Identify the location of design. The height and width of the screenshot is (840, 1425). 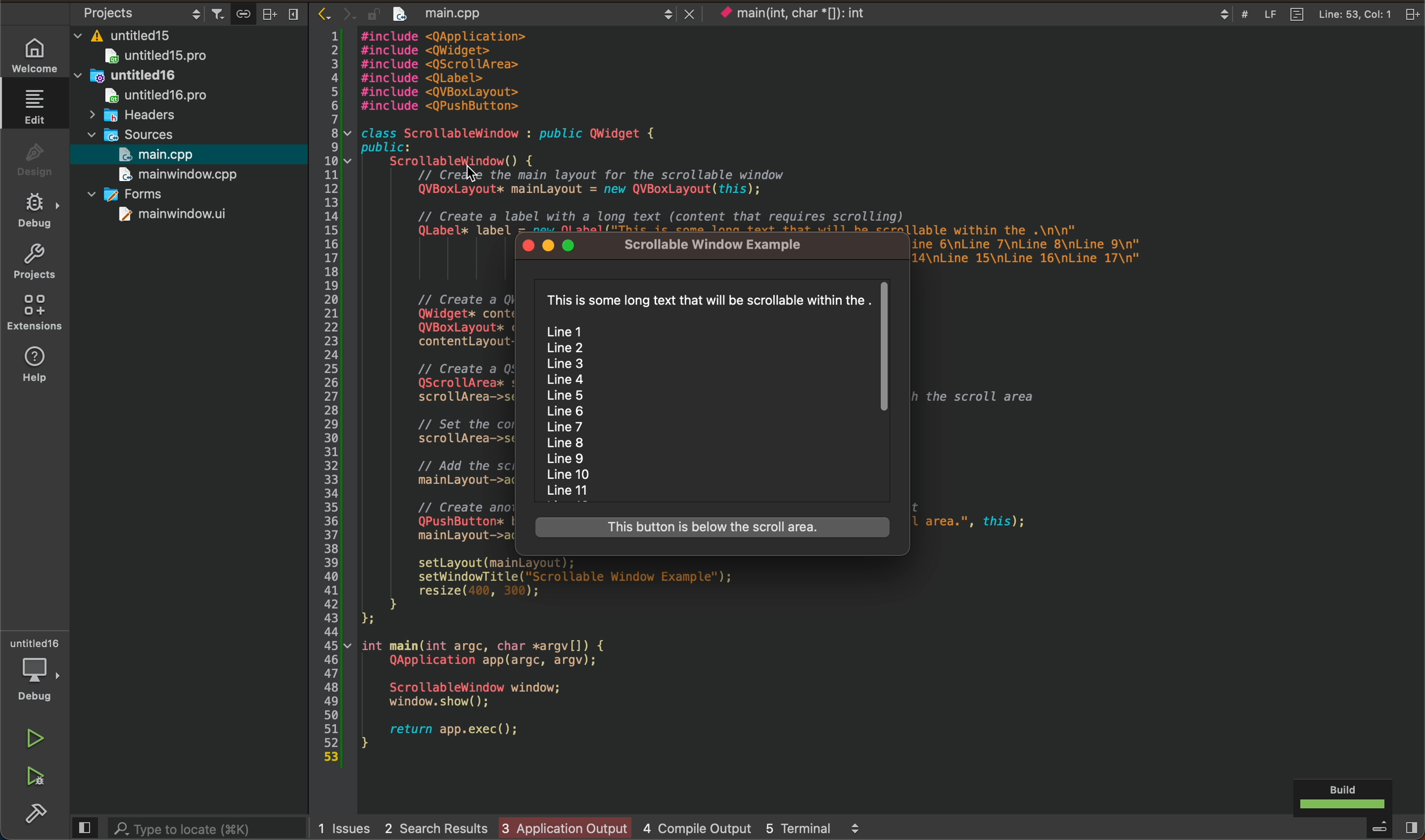
(32, 160).